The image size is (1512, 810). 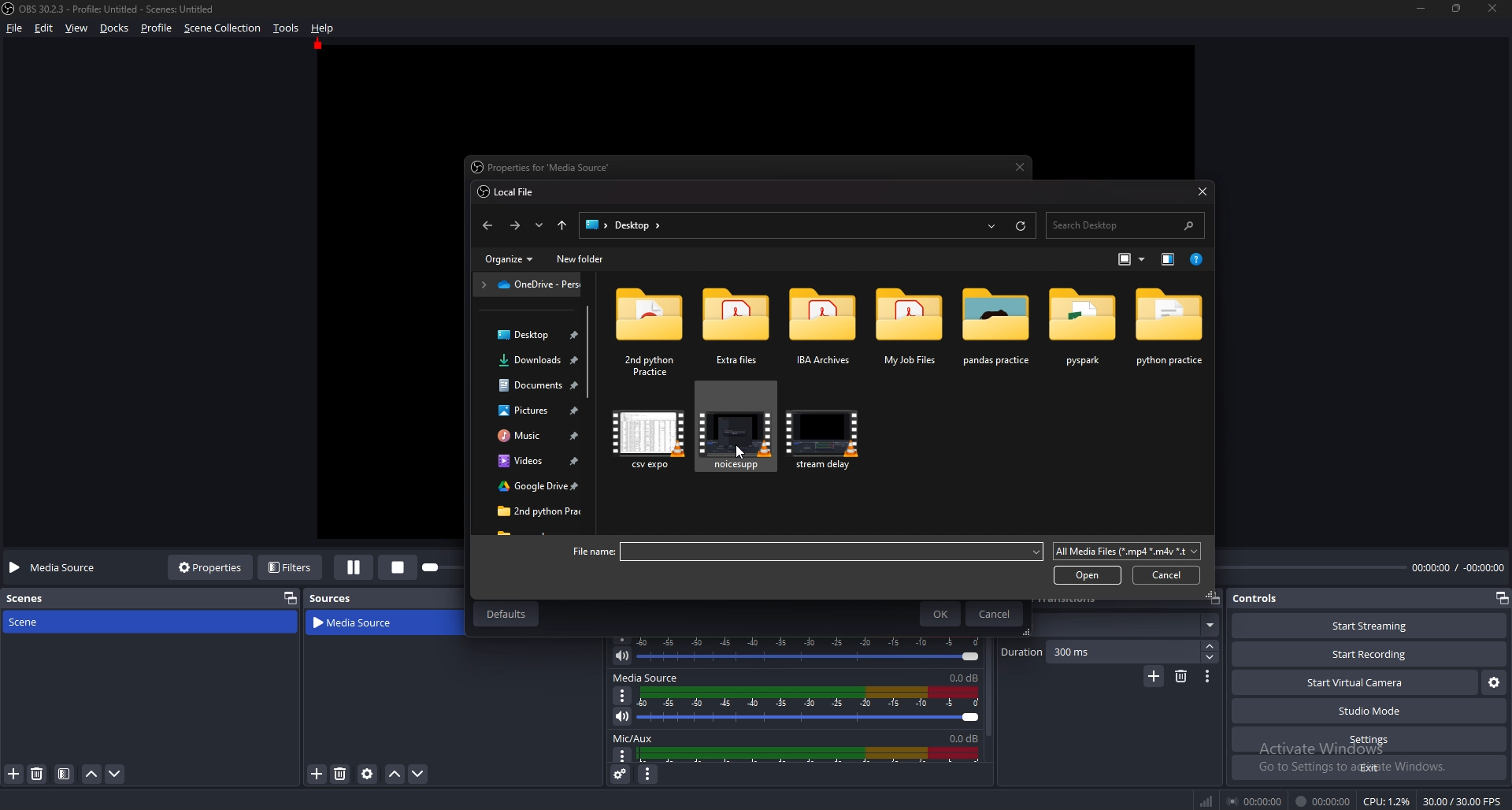 I want to click on folder, so click(x=529, y=385).